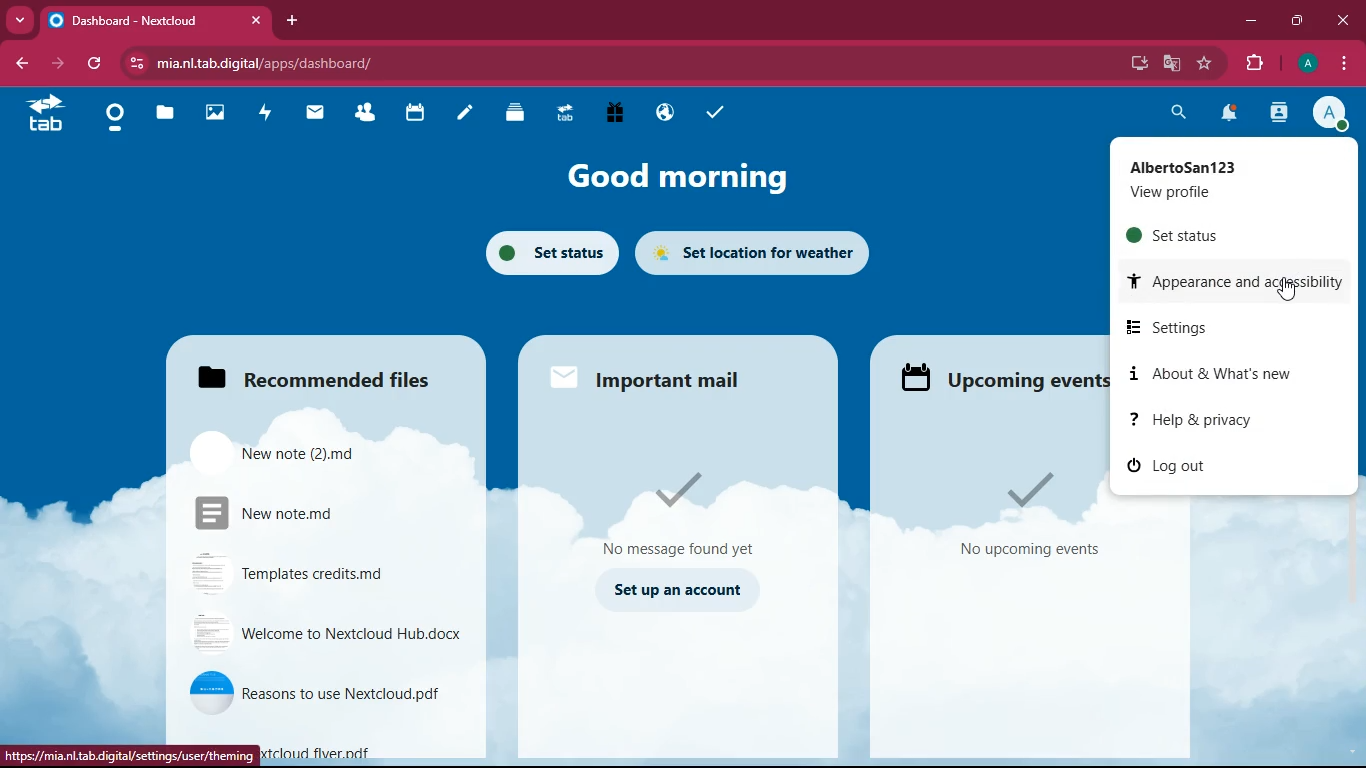  I want to click on events, so click(996, 374).